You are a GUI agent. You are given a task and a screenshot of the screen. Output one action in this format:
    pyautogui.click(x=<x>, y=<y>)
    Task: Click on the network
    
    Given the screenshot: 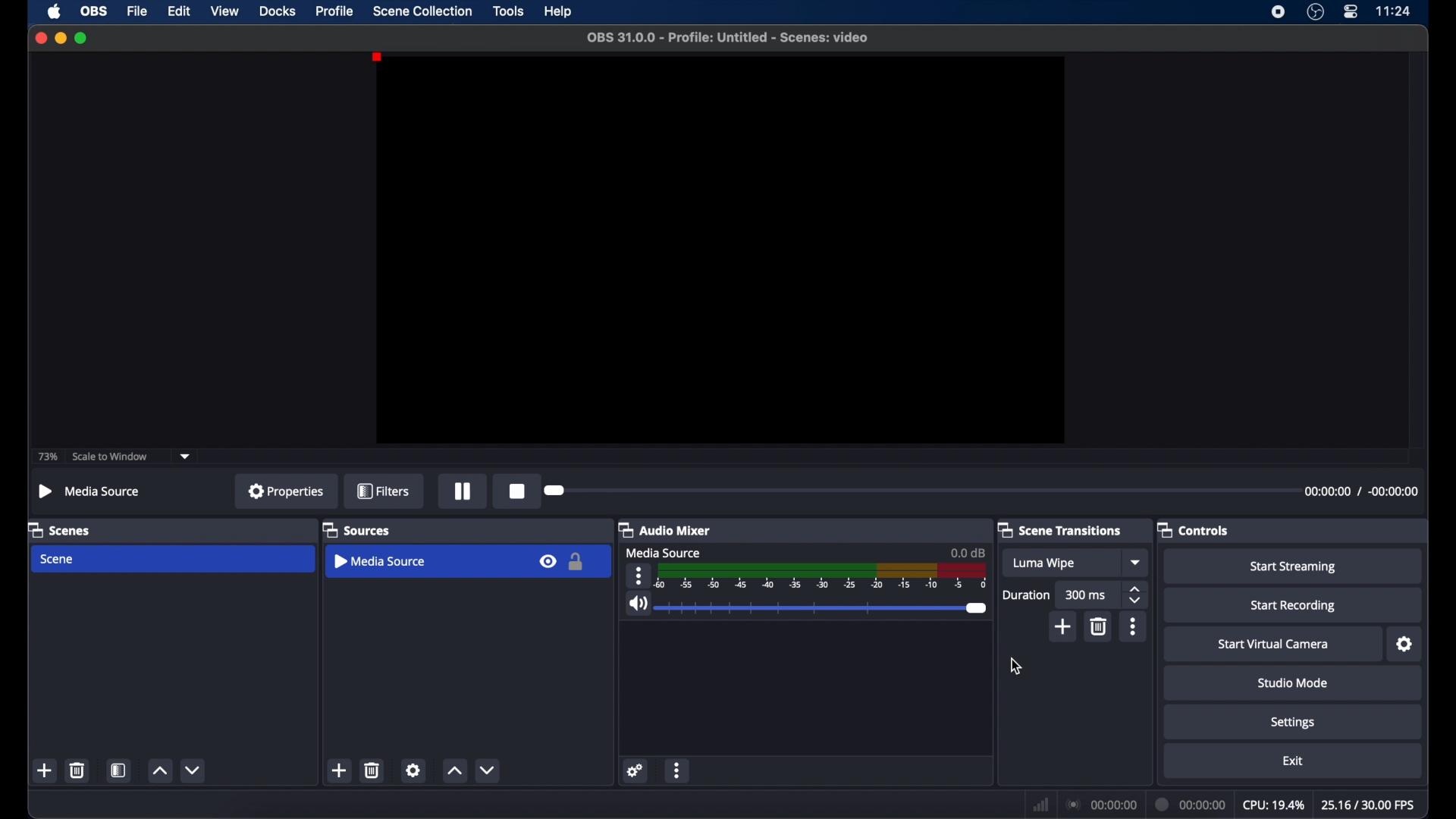 What is the action you would take?
    pyautogui.click(x=1040, y=805)
    